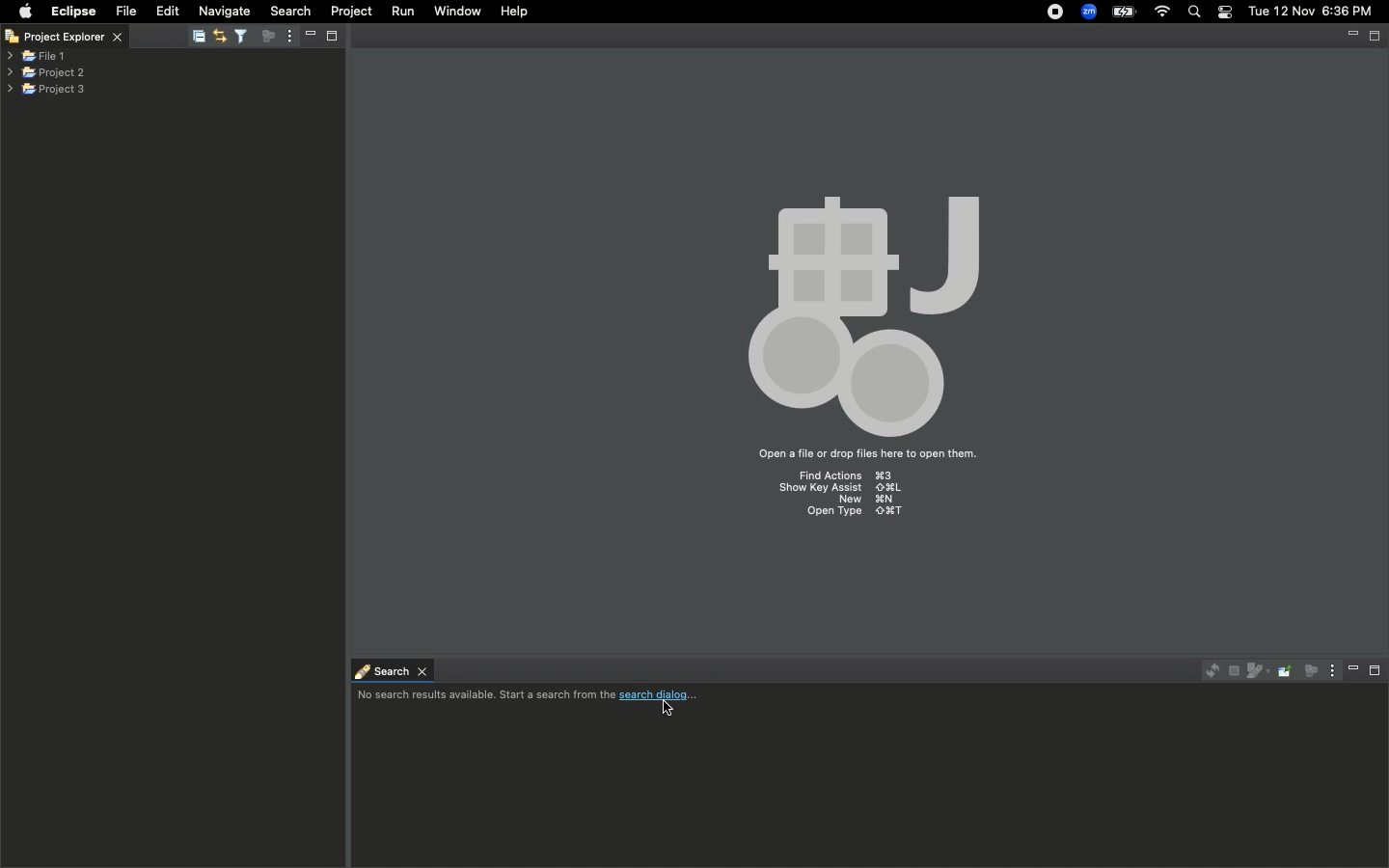 The width and height of the screenshot is (1389, 868). I want to click on minimize, so click(1352, 37).